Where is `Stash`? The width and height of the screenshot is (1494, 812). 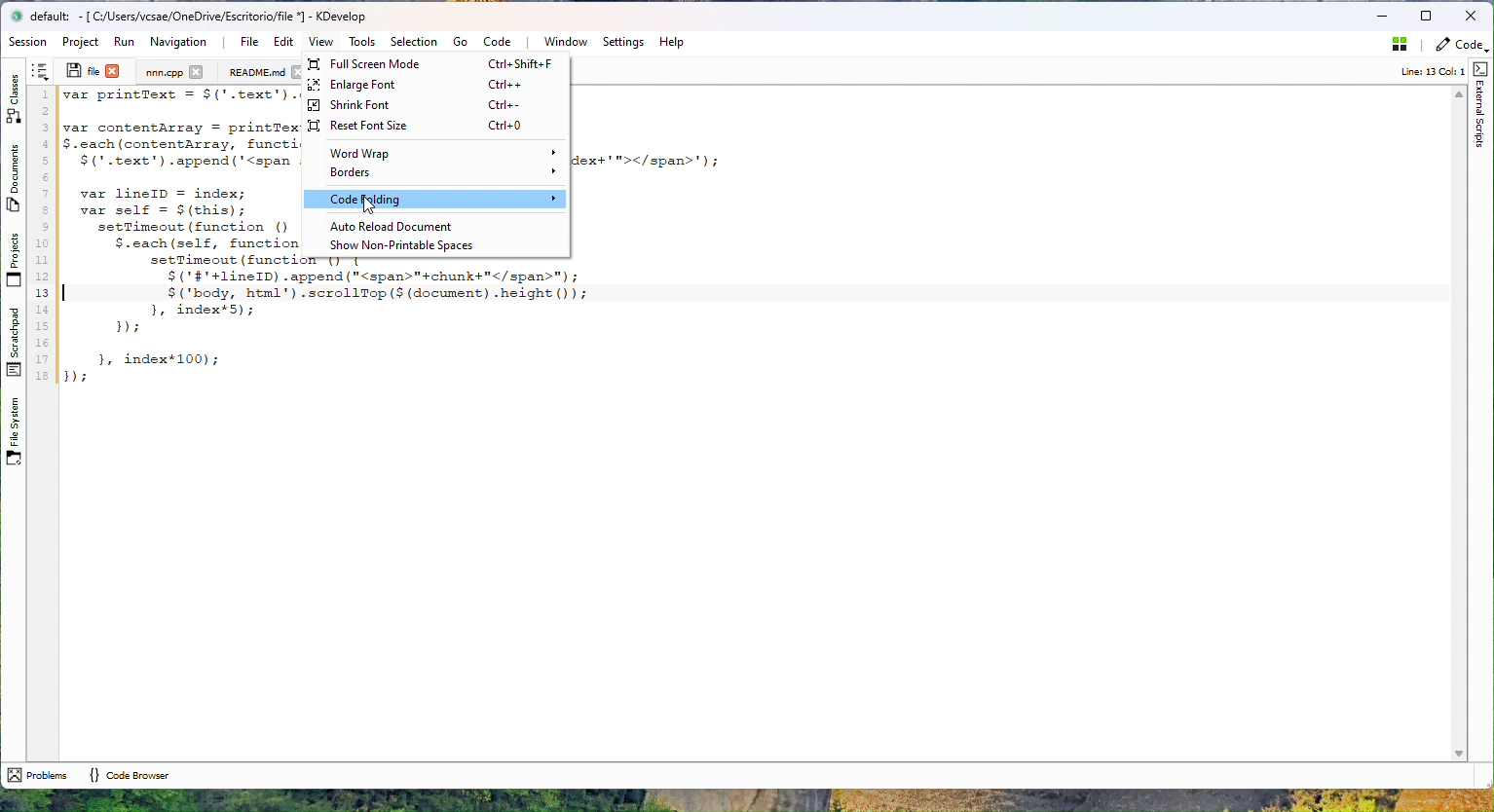 Stash is located at coordinates (1396, 48).